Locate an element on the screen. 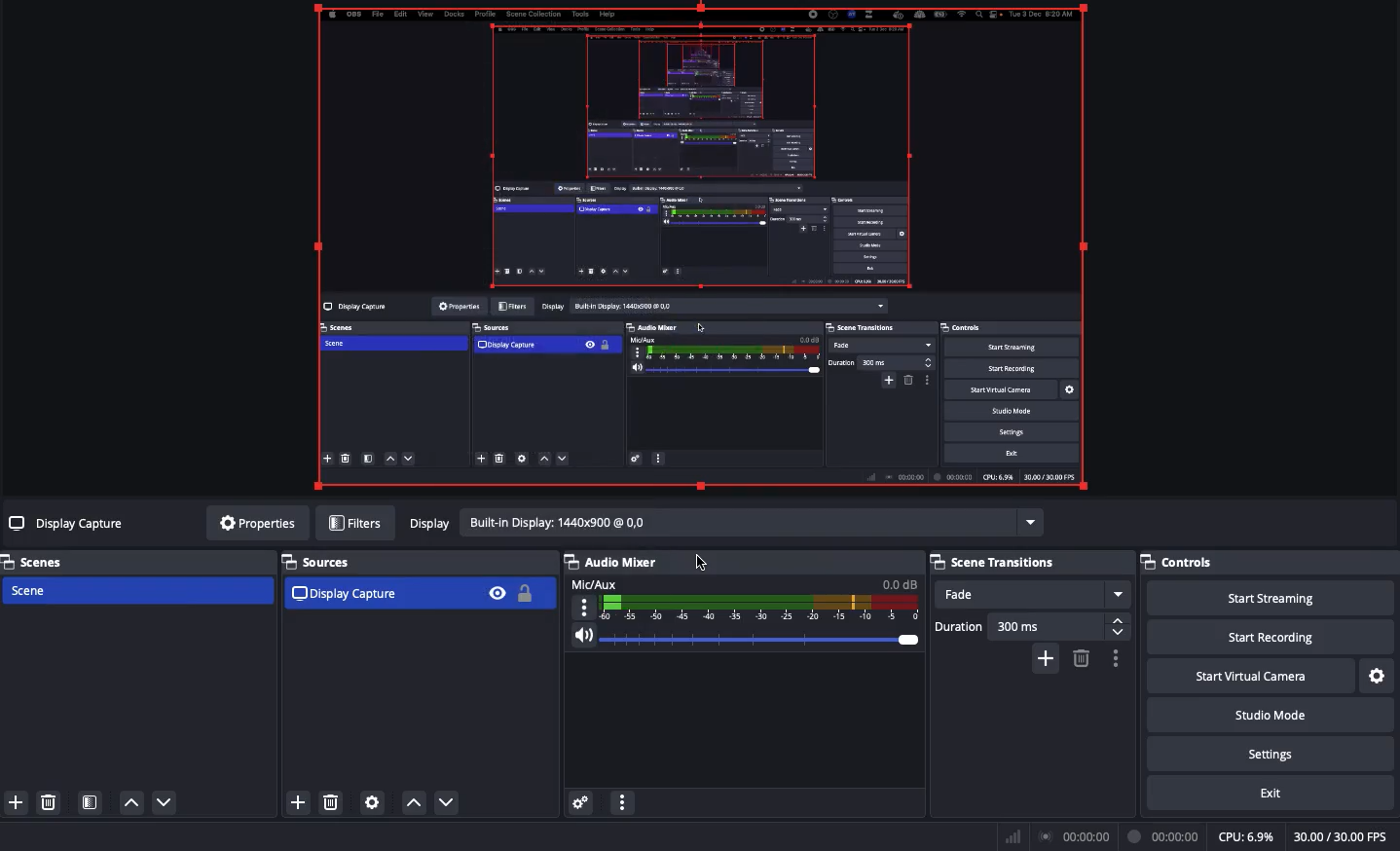  Sources is located at coordinates (323, 561).